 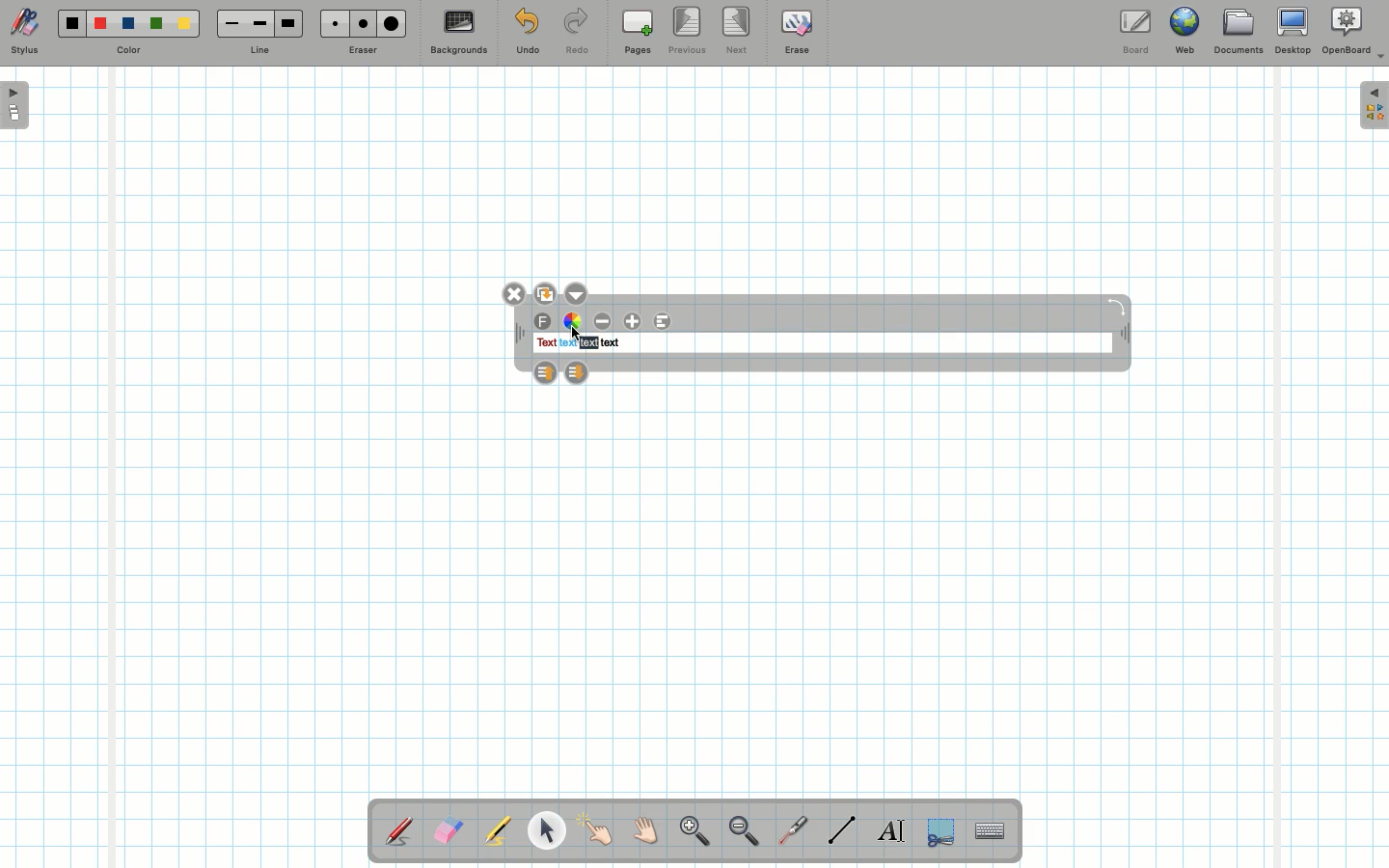 What do you see at coordinates (496, 832) in the screenshot?
I see `Highlighter` at bounding box center [496, 832].